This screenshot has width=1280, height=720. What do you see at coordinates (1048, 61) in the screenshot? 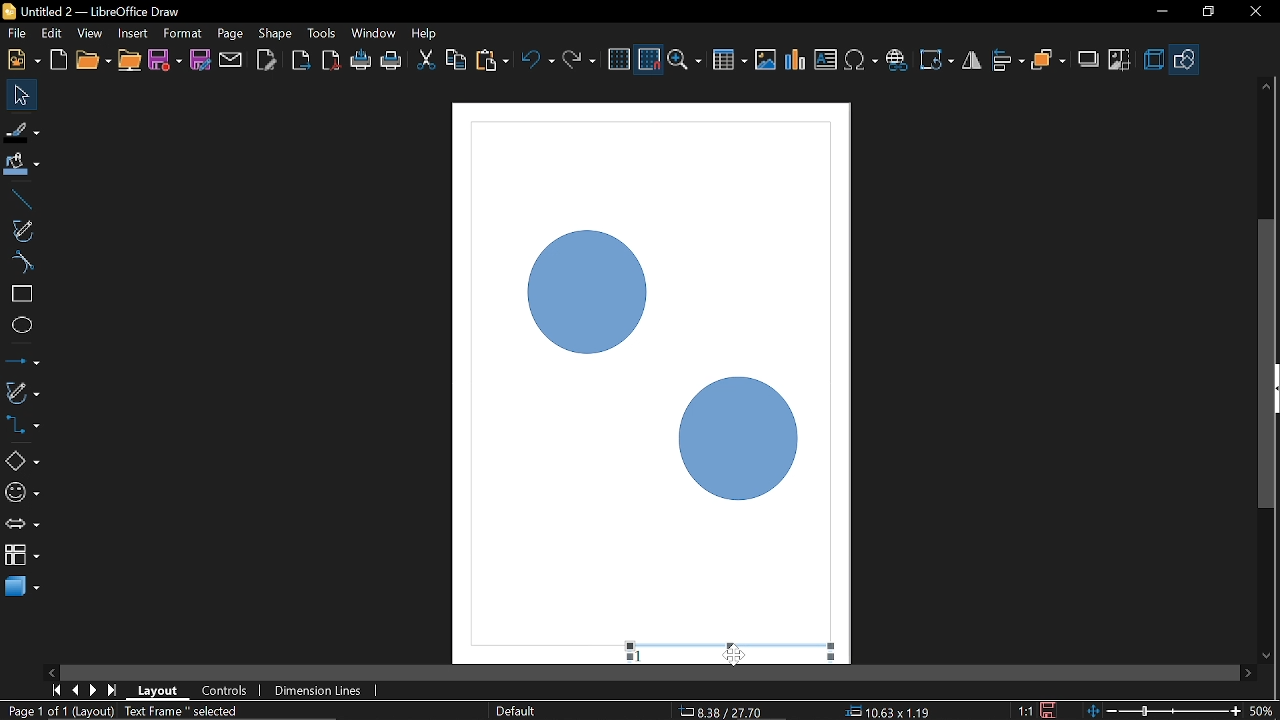
I see `Arrange` at bounding box center [1048, 61].